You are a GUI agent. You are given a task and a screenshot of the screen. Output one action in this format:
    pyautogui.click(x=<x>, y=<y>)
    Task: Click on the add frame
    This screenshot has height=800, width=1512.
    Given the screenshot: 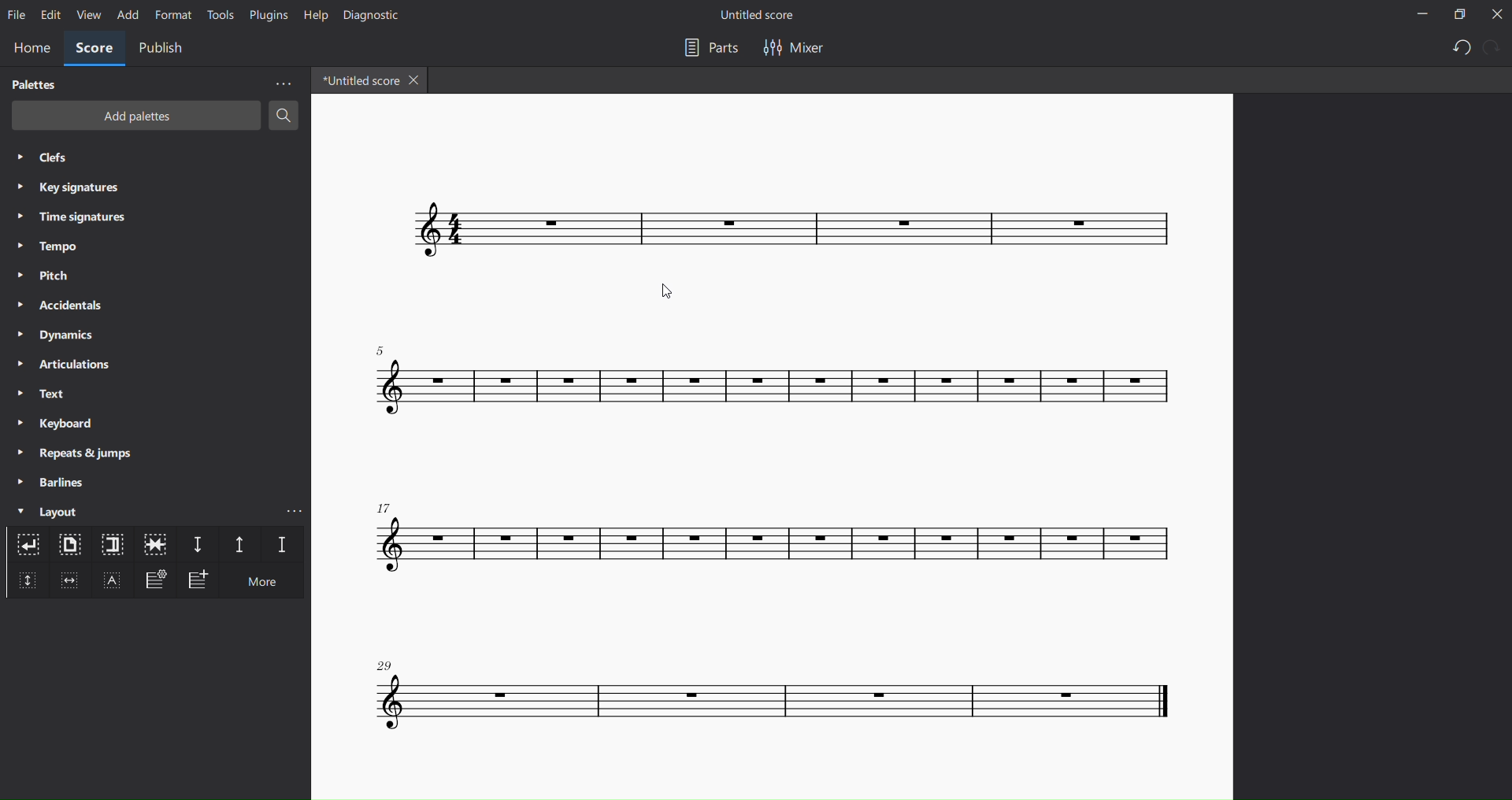 What is the action you would take?
    pyautogui.click(x=202, y=581)
    